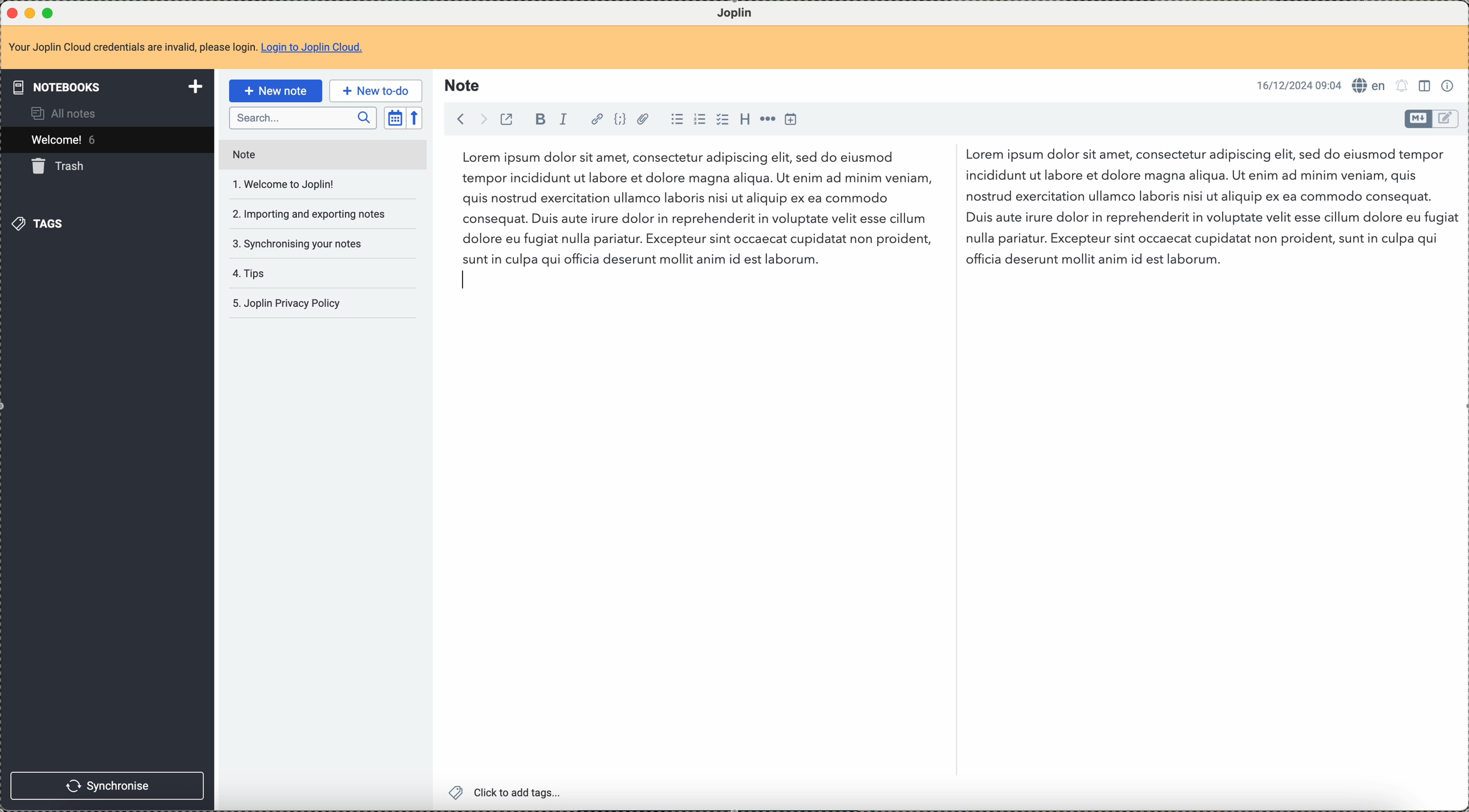 The height and width of the screenshot is (812, 1469). What do you see at coordinates (1418, 119) in the screenshot?
I see `toggle editor` at bounding box center [1418, 119].